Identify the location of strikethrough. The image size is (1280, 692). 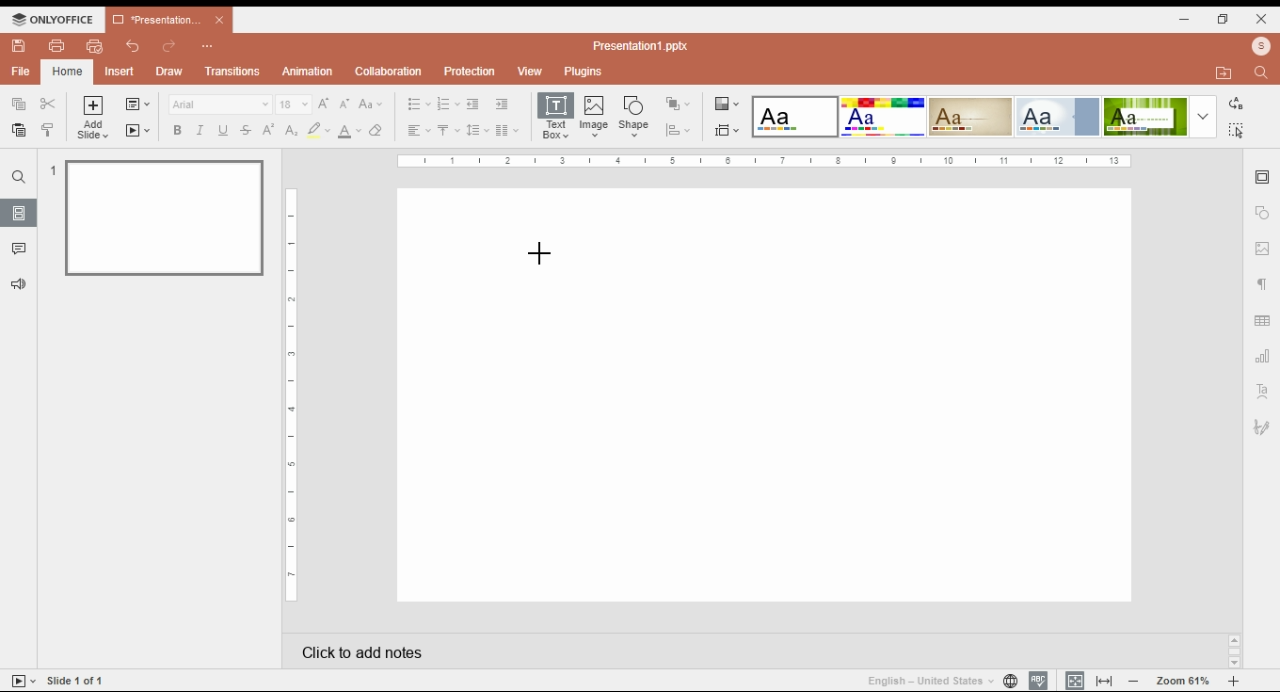
(246, 131).